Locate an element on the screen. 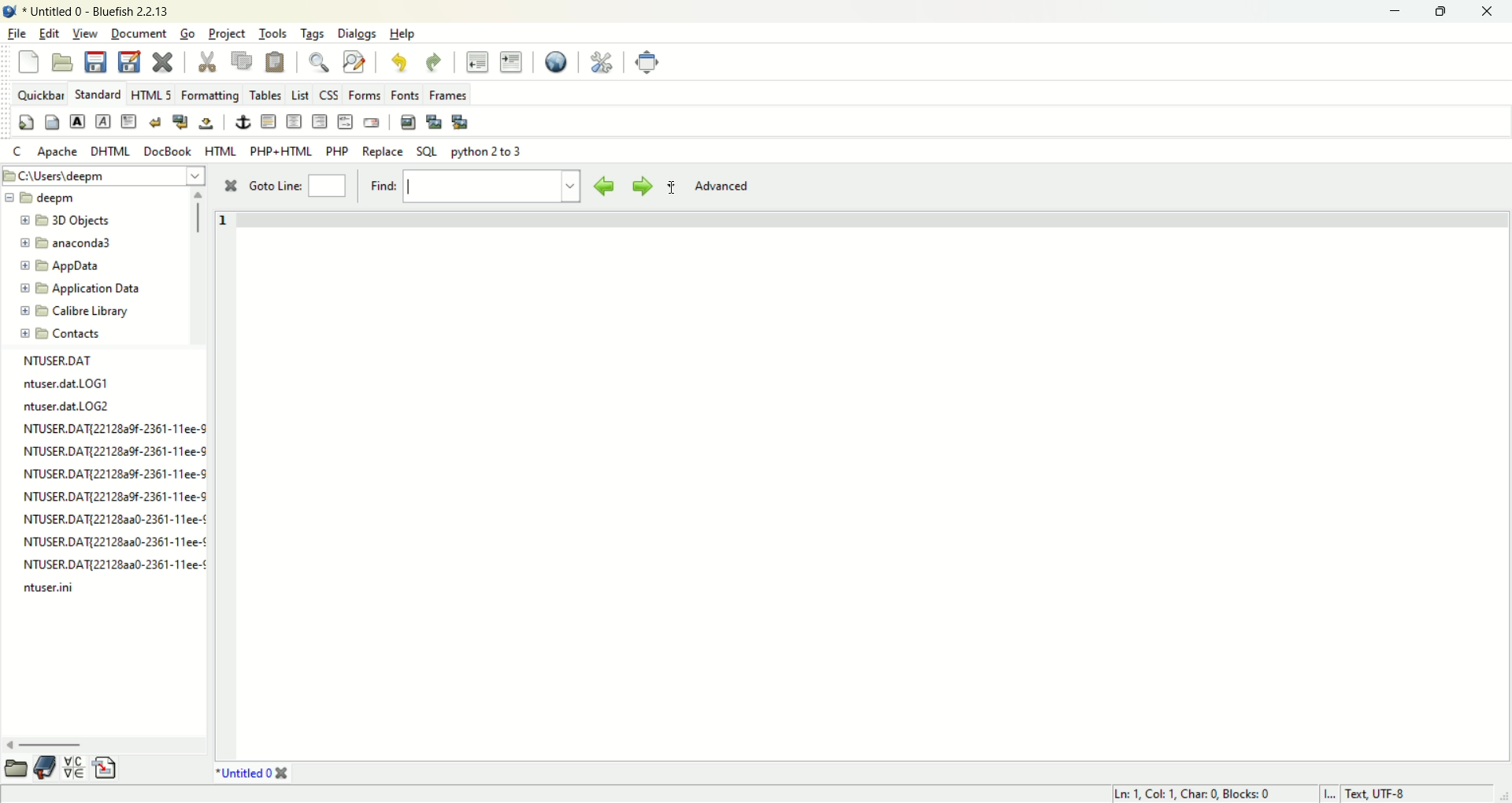 The width and height of the screenshot is (1512, 803). vertical scroll bar is located at coordinates (198, 213).